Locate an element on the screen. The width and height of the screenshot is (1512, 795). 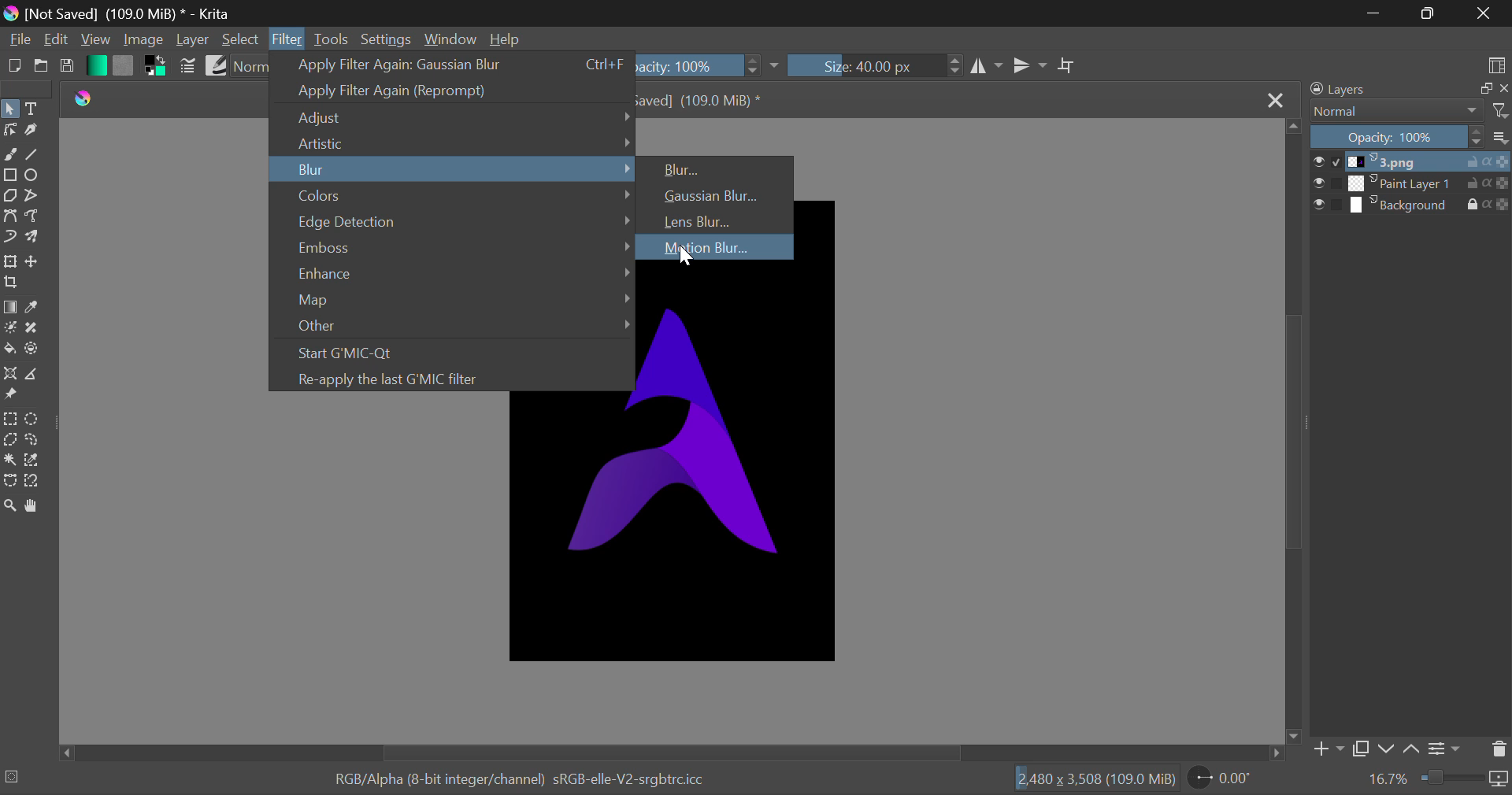
Filter is located at coordinates (287, 40).